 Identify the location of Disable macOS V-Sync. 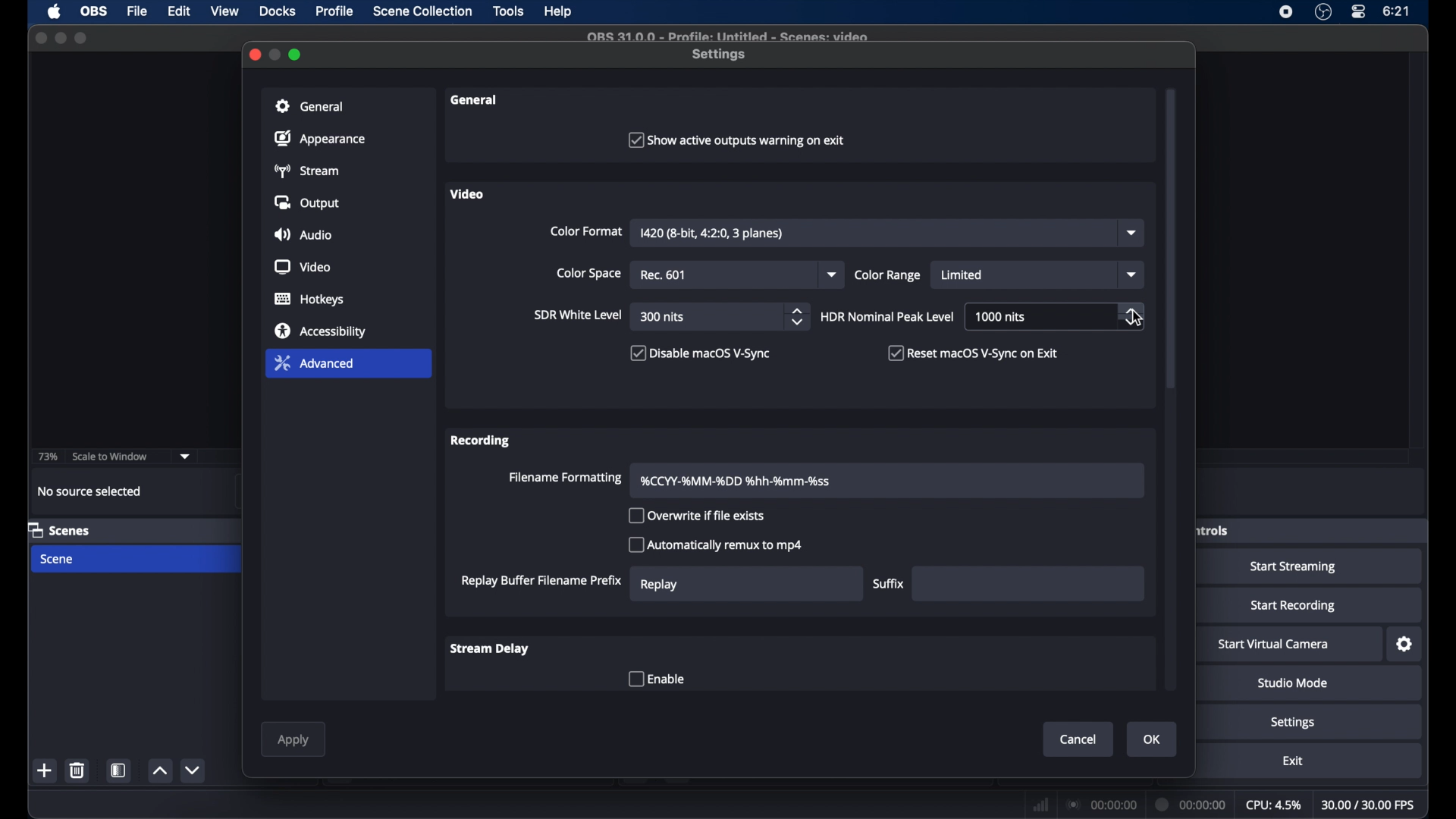
(706, 354).